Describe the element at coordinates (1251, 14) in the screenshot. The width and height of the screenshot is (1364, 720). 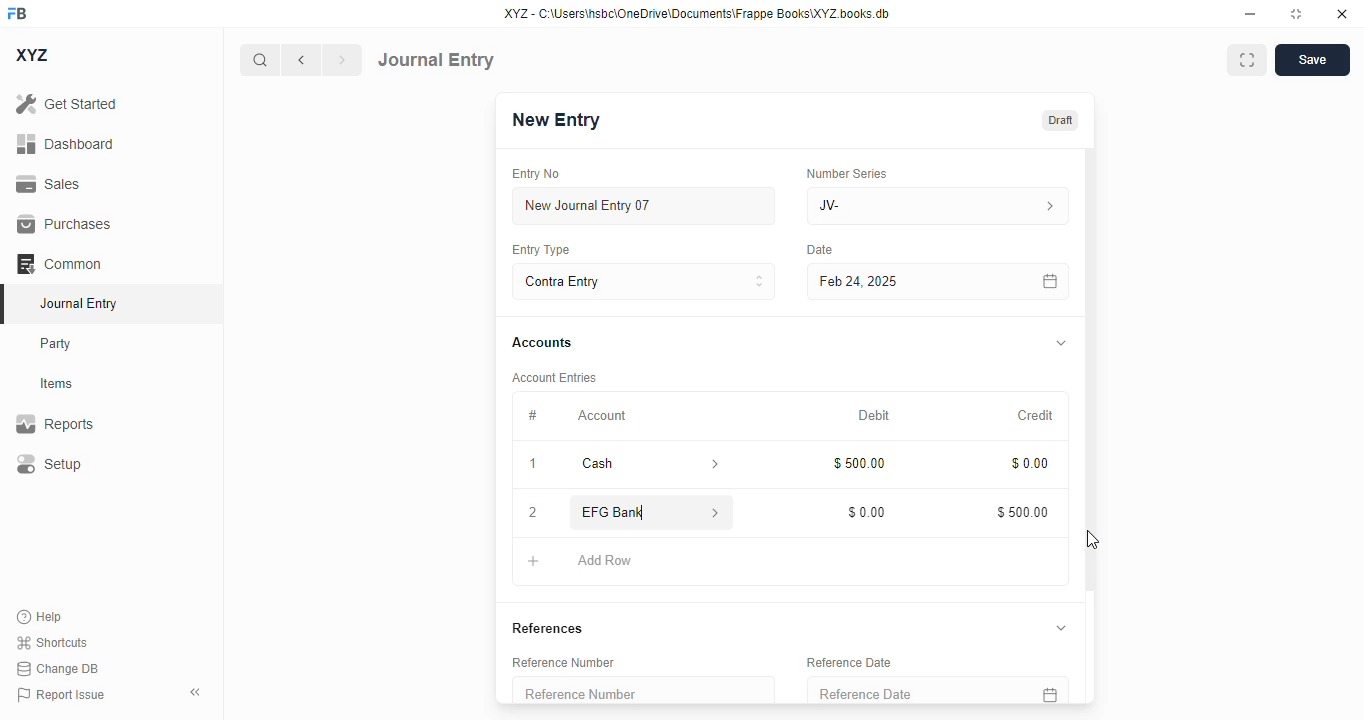
I see `minimize` at that location.